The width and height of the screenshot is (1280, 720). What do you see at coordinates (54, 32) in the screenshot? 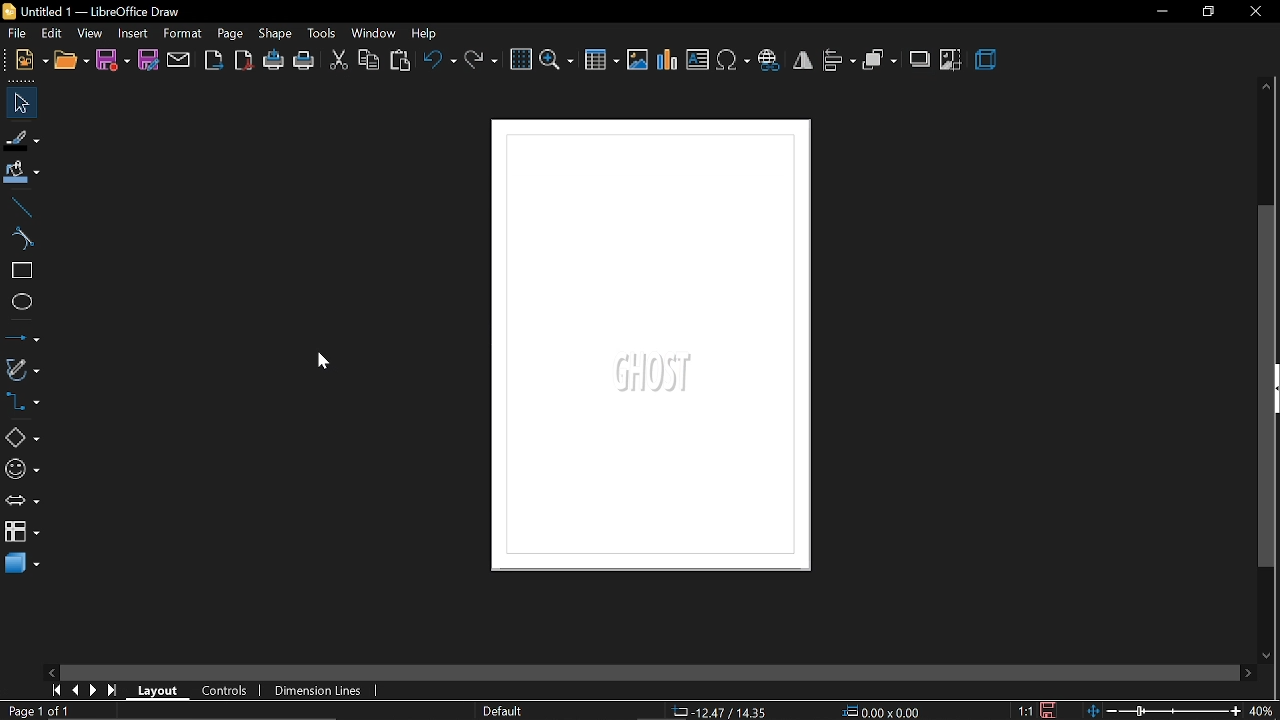
I see `edit` at bounding box center [54, 32].